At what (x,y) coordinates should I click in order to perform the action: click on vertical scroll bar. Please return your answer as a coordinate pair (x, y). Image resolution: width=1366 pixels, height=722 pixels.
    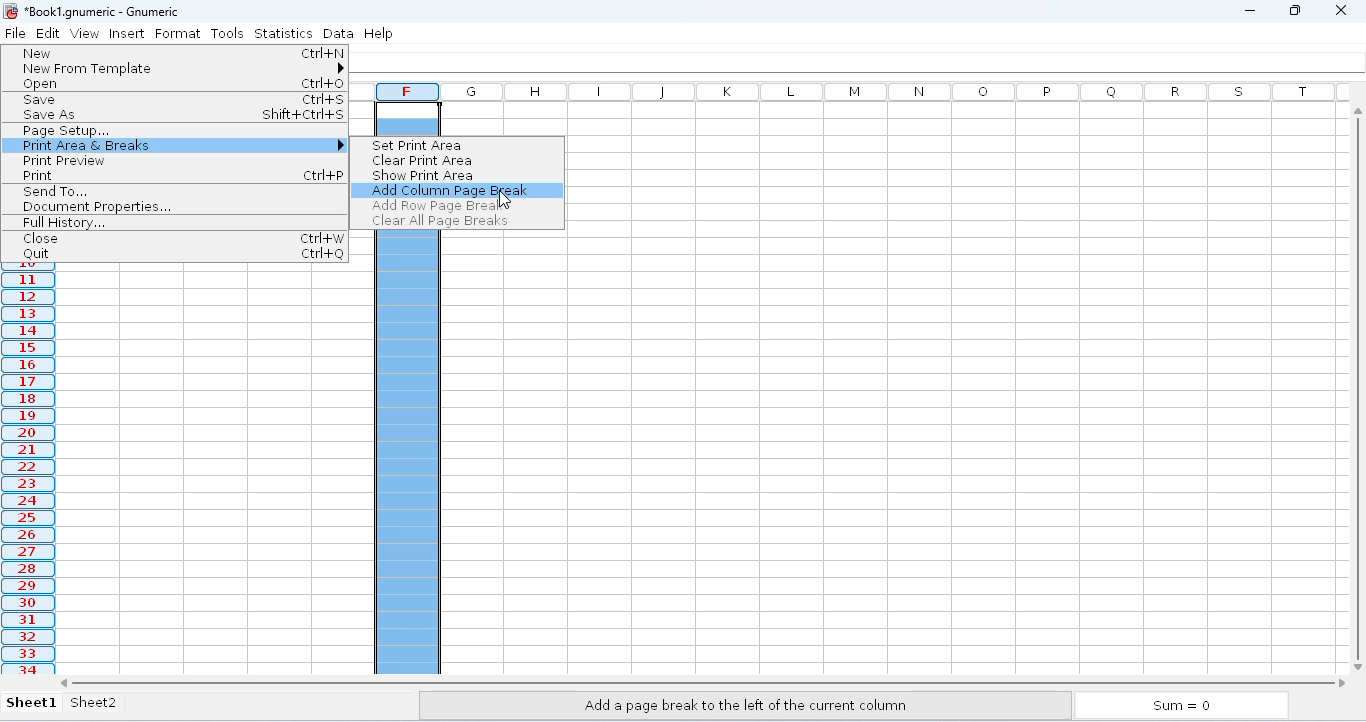
    Looking at the image, I should click on (1357, 385).